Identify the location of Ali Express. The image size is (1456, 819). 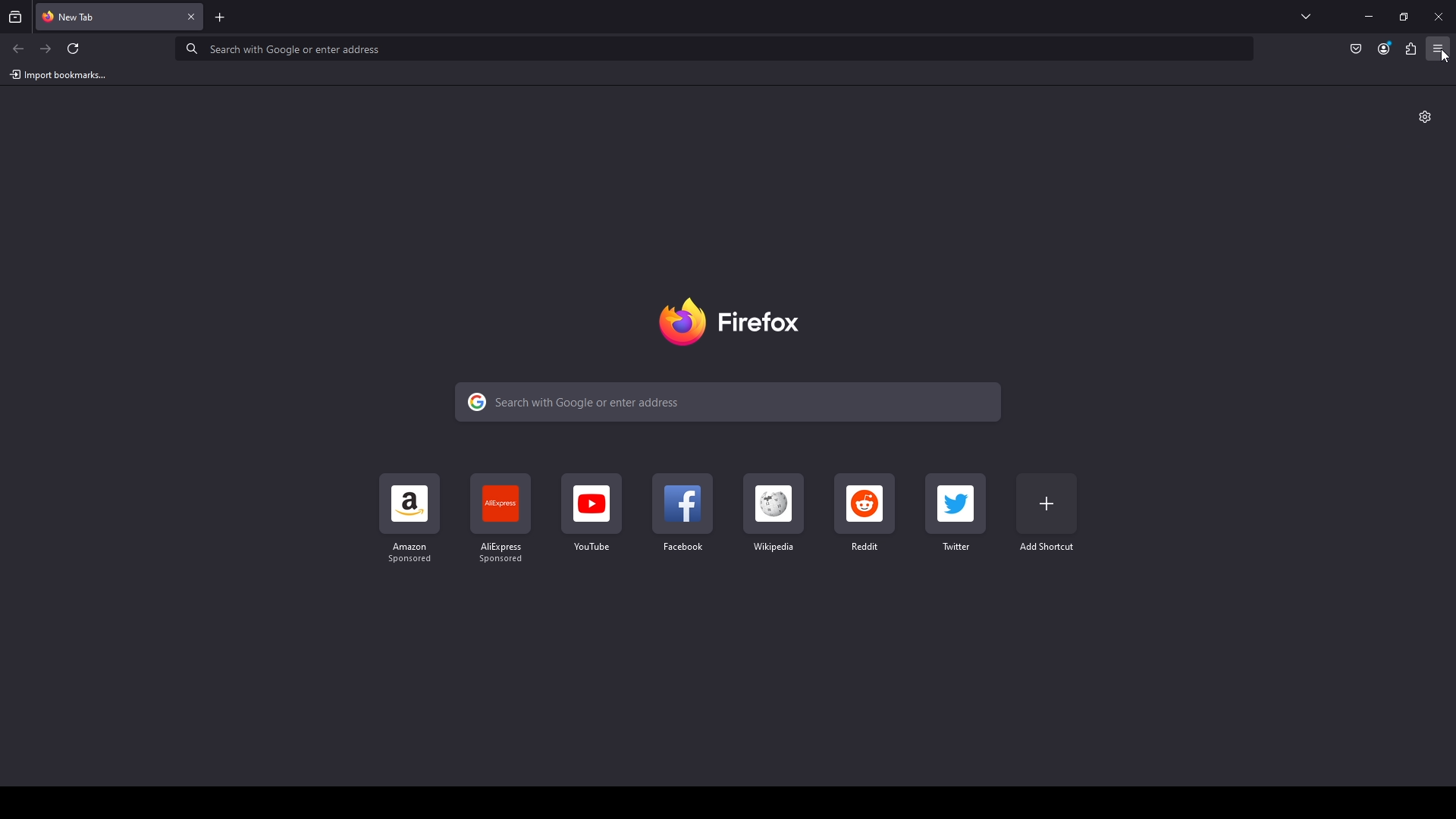
(503, 521).